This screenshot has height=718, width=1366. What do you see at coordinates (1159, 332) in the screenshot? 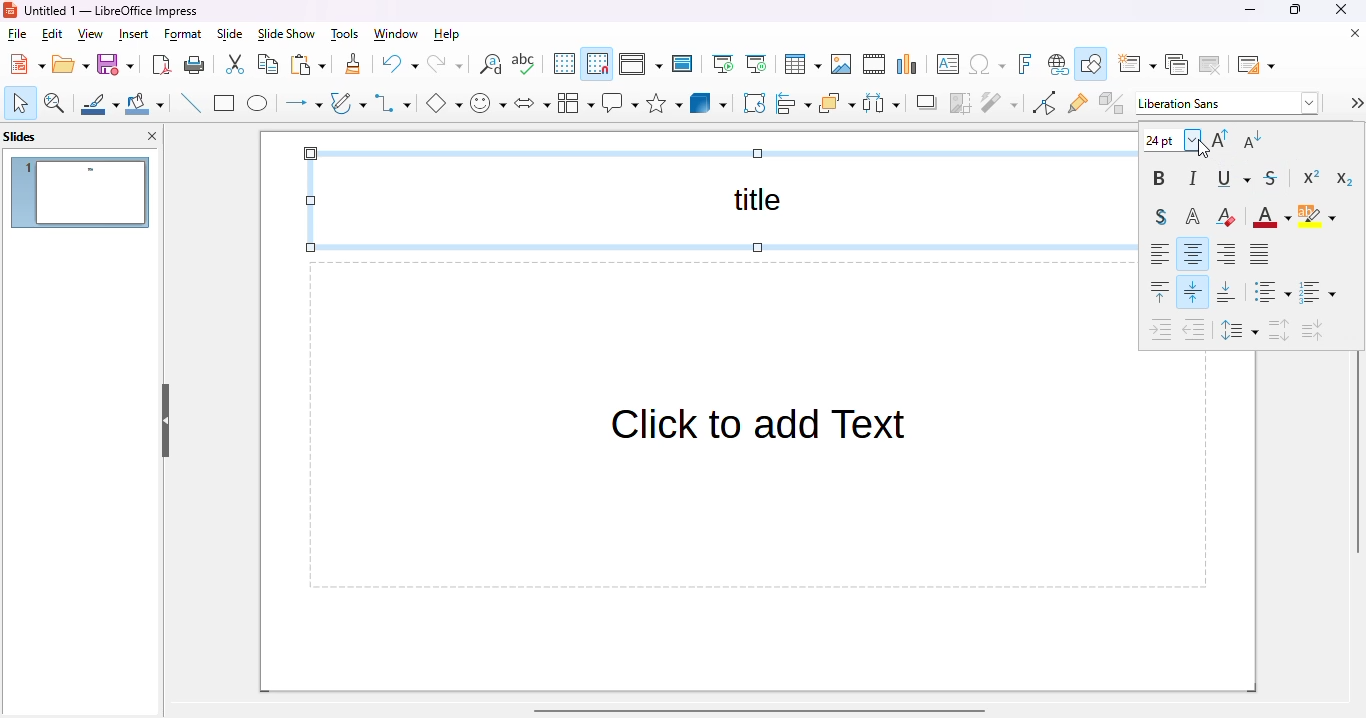
I see `increase indent` at bounding box center [1159, 332].